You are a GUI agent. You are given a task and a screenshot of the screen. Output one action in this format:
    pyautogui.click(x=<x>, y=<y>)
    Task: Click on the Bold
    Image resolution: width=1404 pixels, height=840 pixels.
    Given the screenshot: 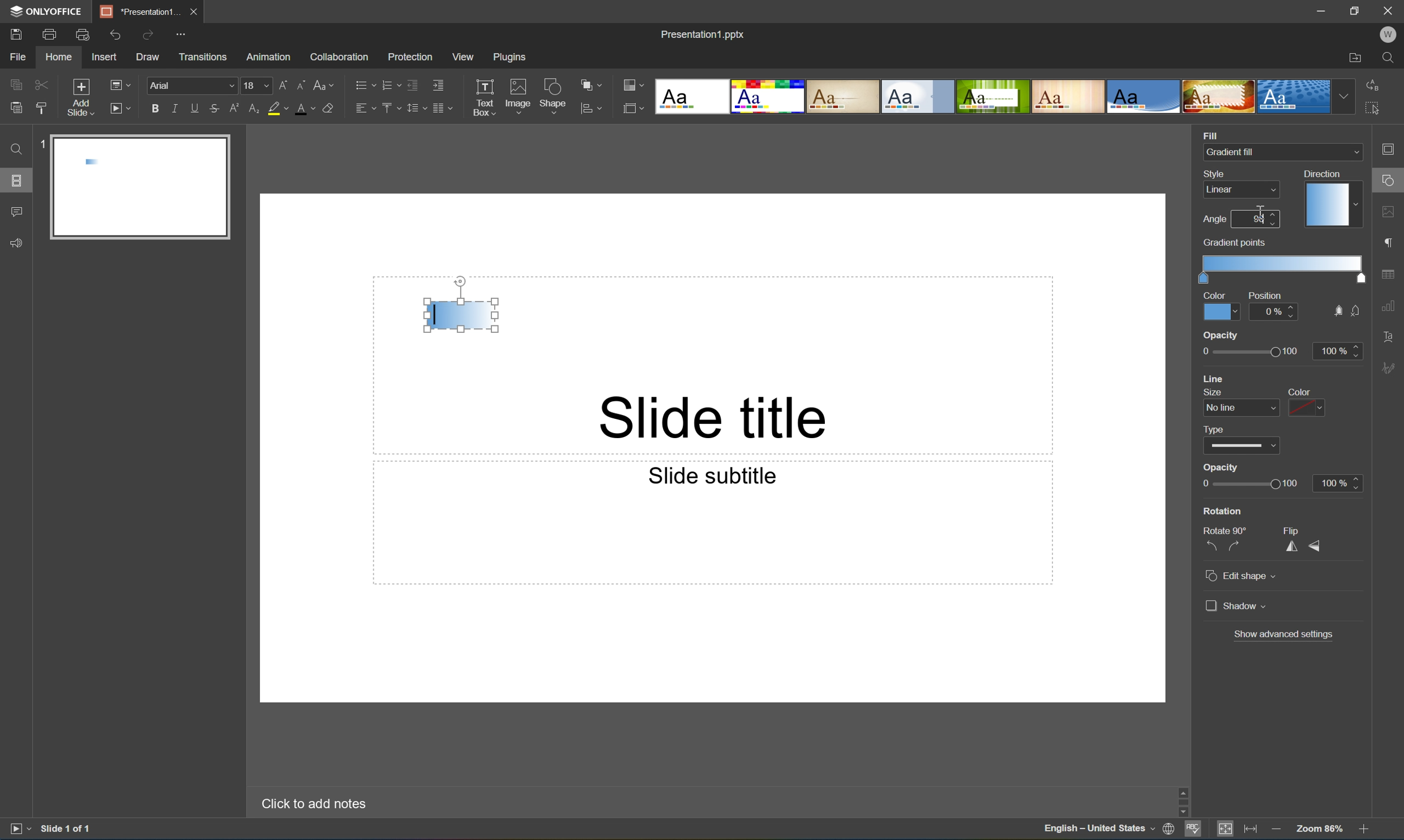 What is the action you would take?
    pyautogui.click(x=156, y=106)
    